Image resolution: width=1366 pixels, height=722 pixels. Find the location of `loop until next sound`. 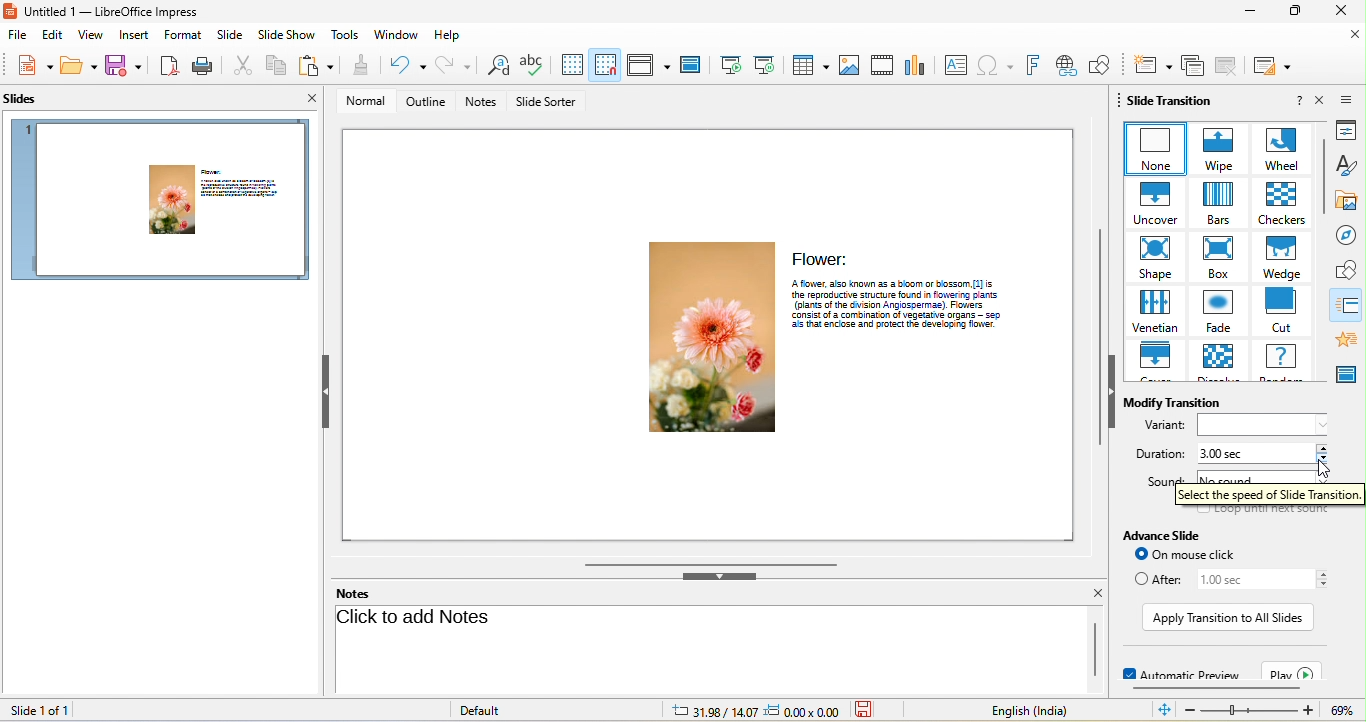

loop until next sound is located at coordinates (1264, 512).